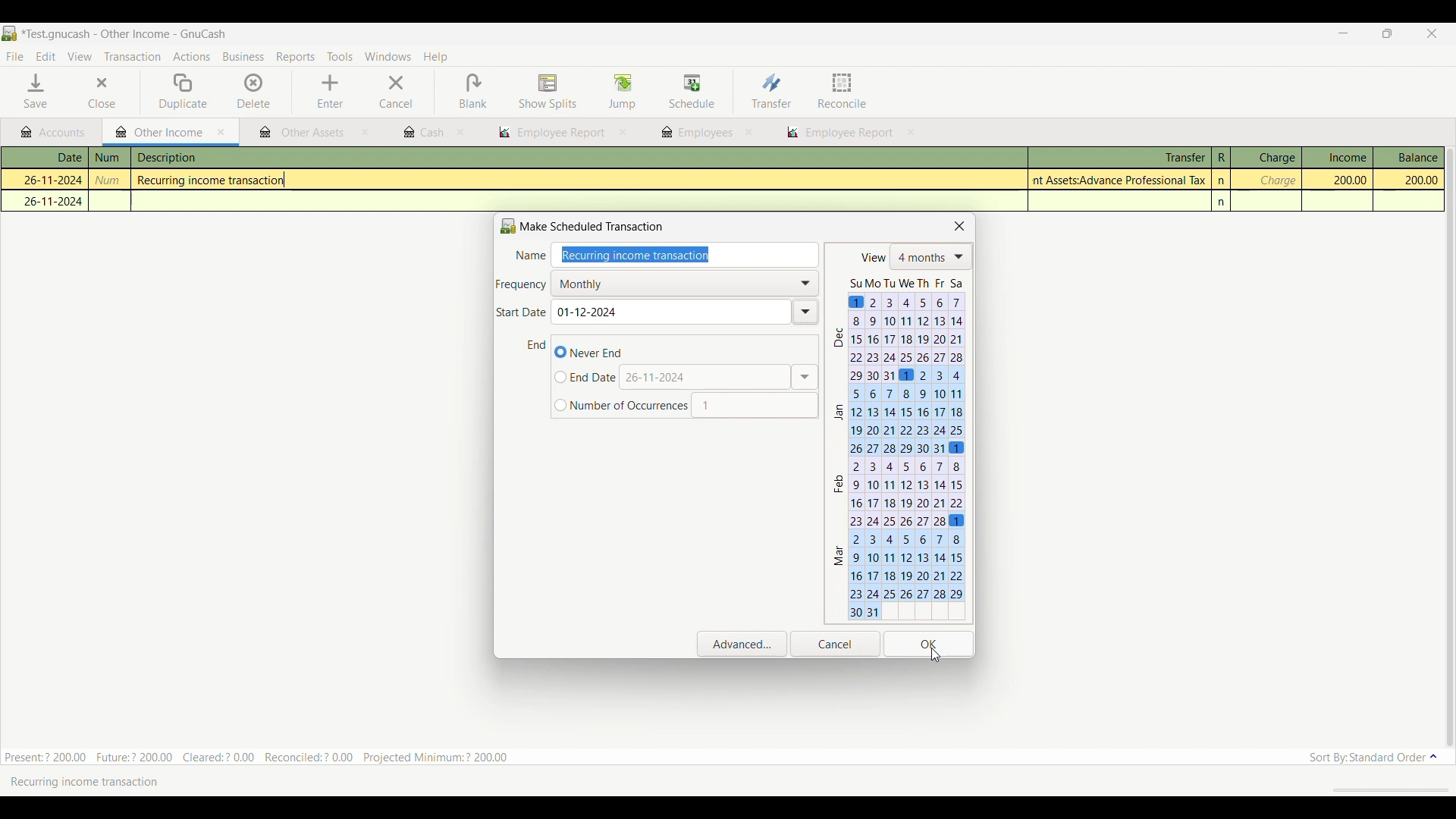  What do you see at coordinates (530, 256) in the screenshot?
I see `Name` at bounding box center [530, 256].